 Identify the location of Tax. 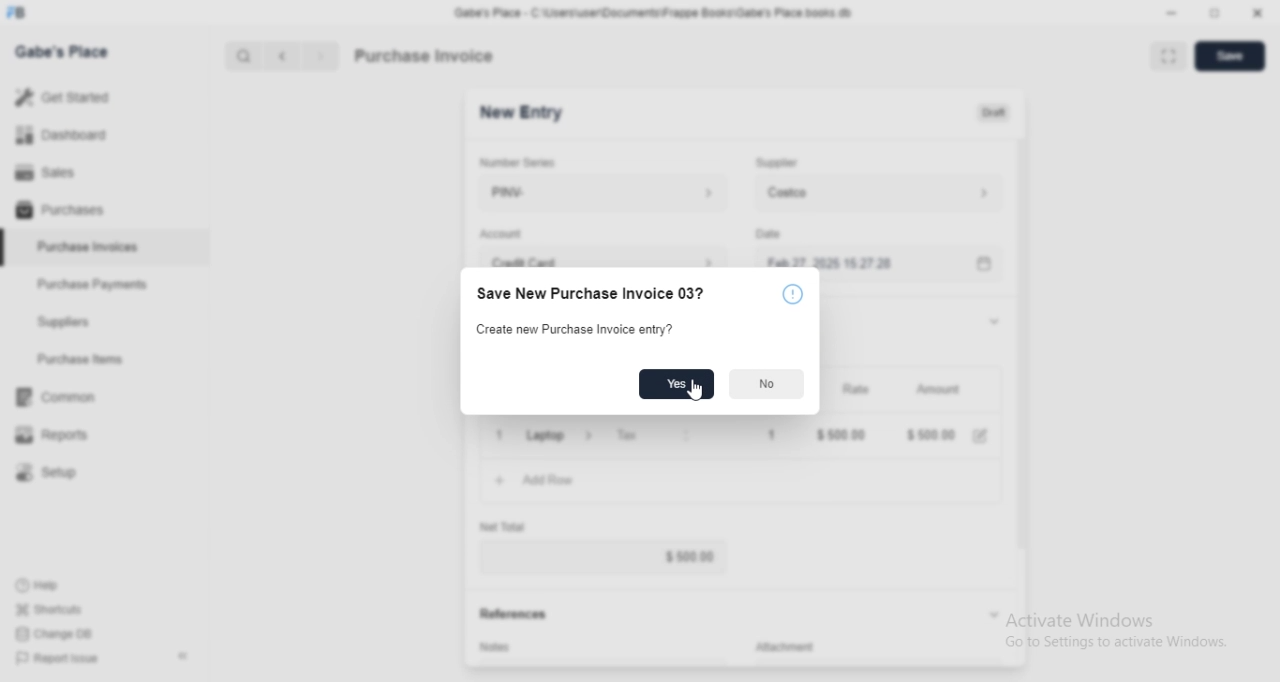
(651, 435).